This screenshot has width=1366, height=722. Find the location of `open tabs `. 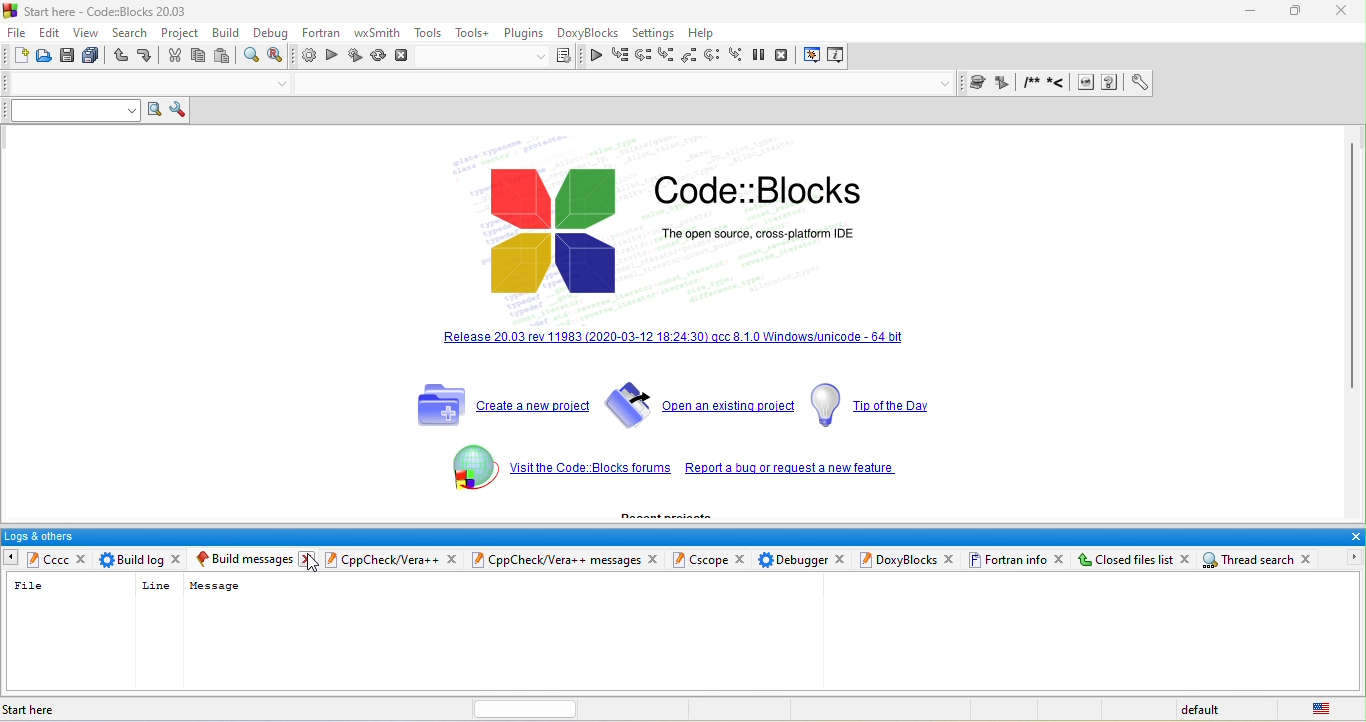

open tabs  is located at coordinates (137, 82).